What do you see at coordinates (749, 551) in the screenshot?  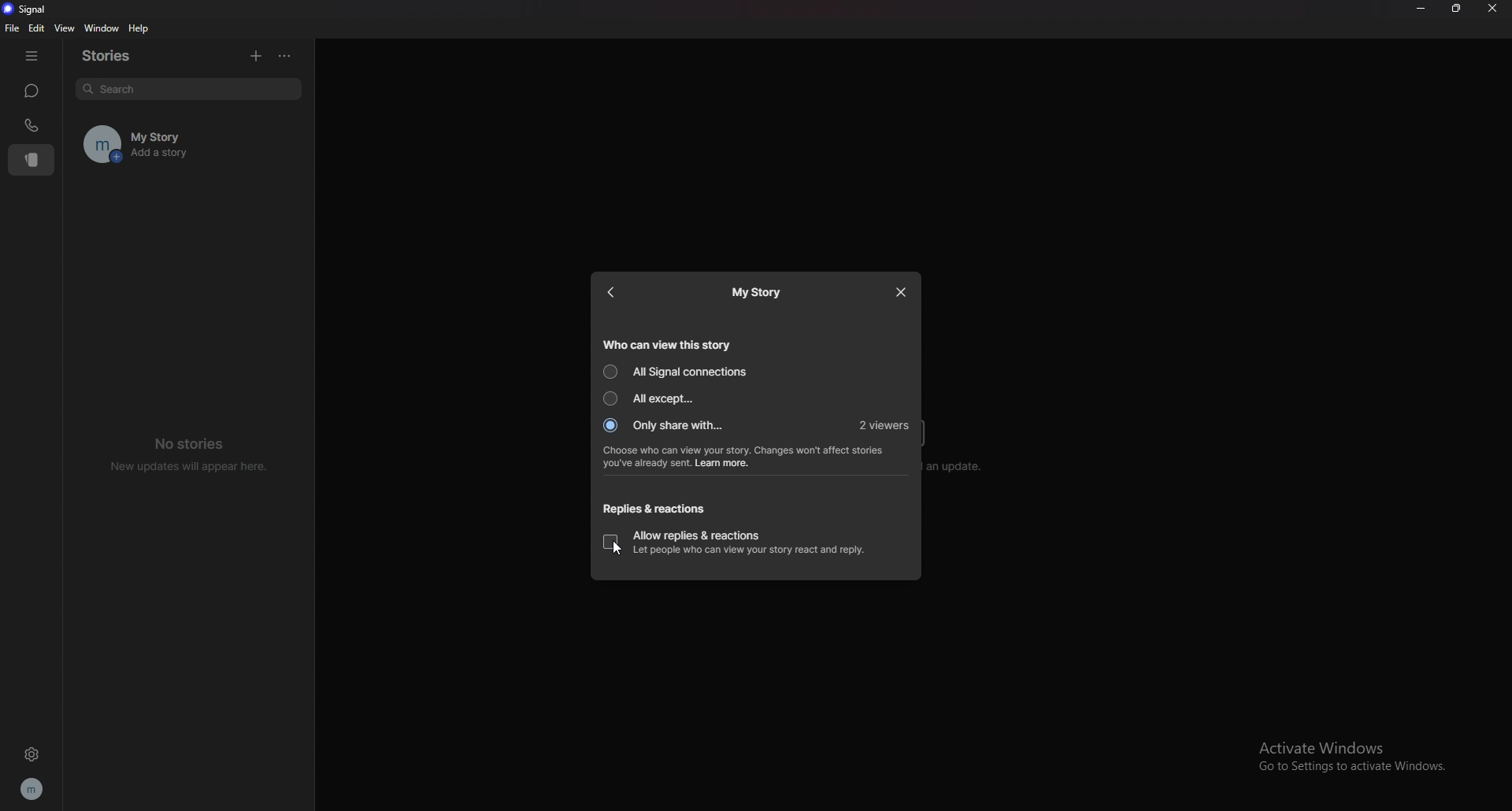 I see `Let people who can view your story react and reply.` at bounding box center [749, 551].